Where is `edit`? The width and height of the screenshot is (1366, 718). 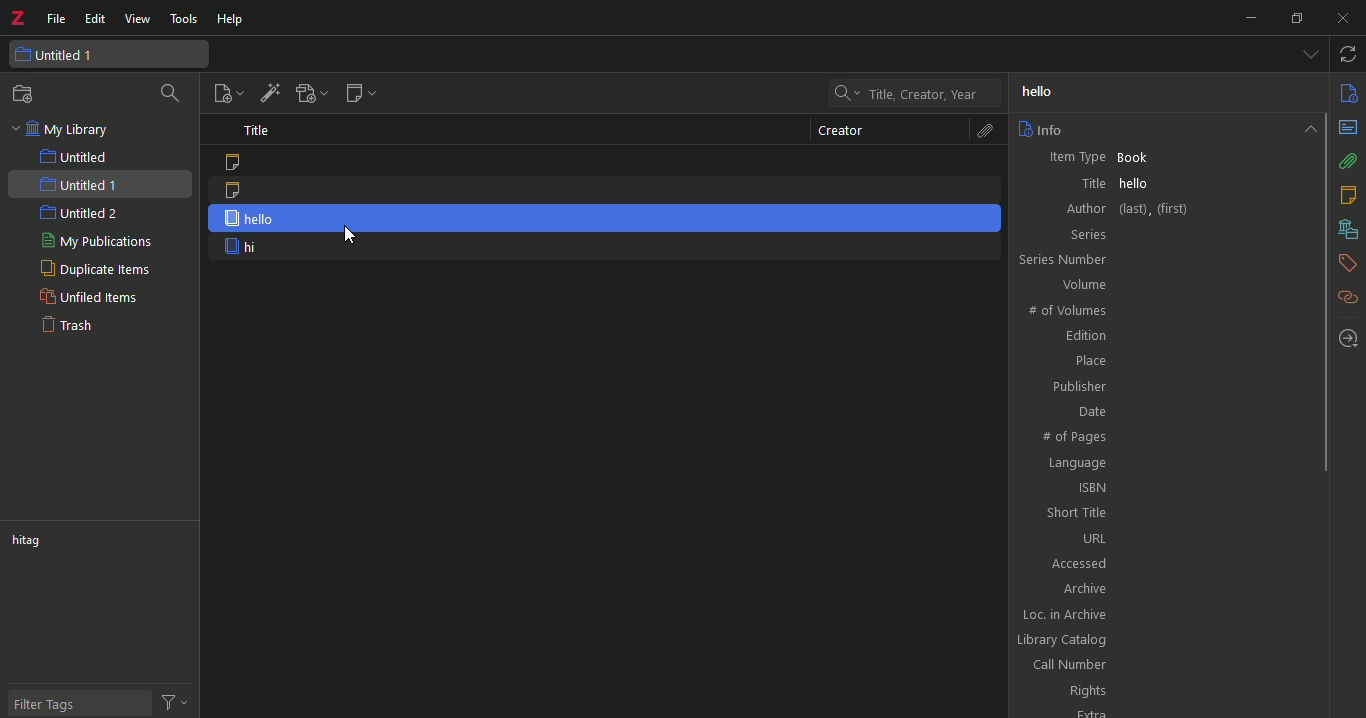
edit is located at coordinates (95, 21).